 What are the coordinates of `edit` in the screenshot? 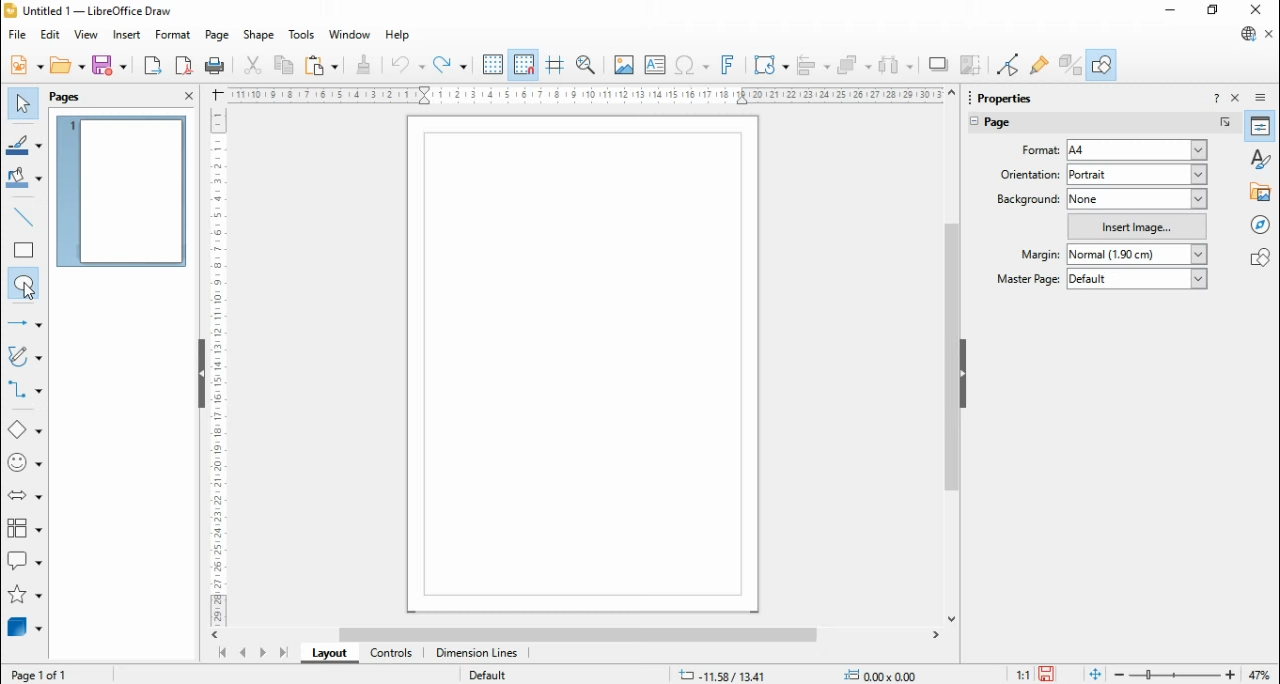 It's located at (50, 35).